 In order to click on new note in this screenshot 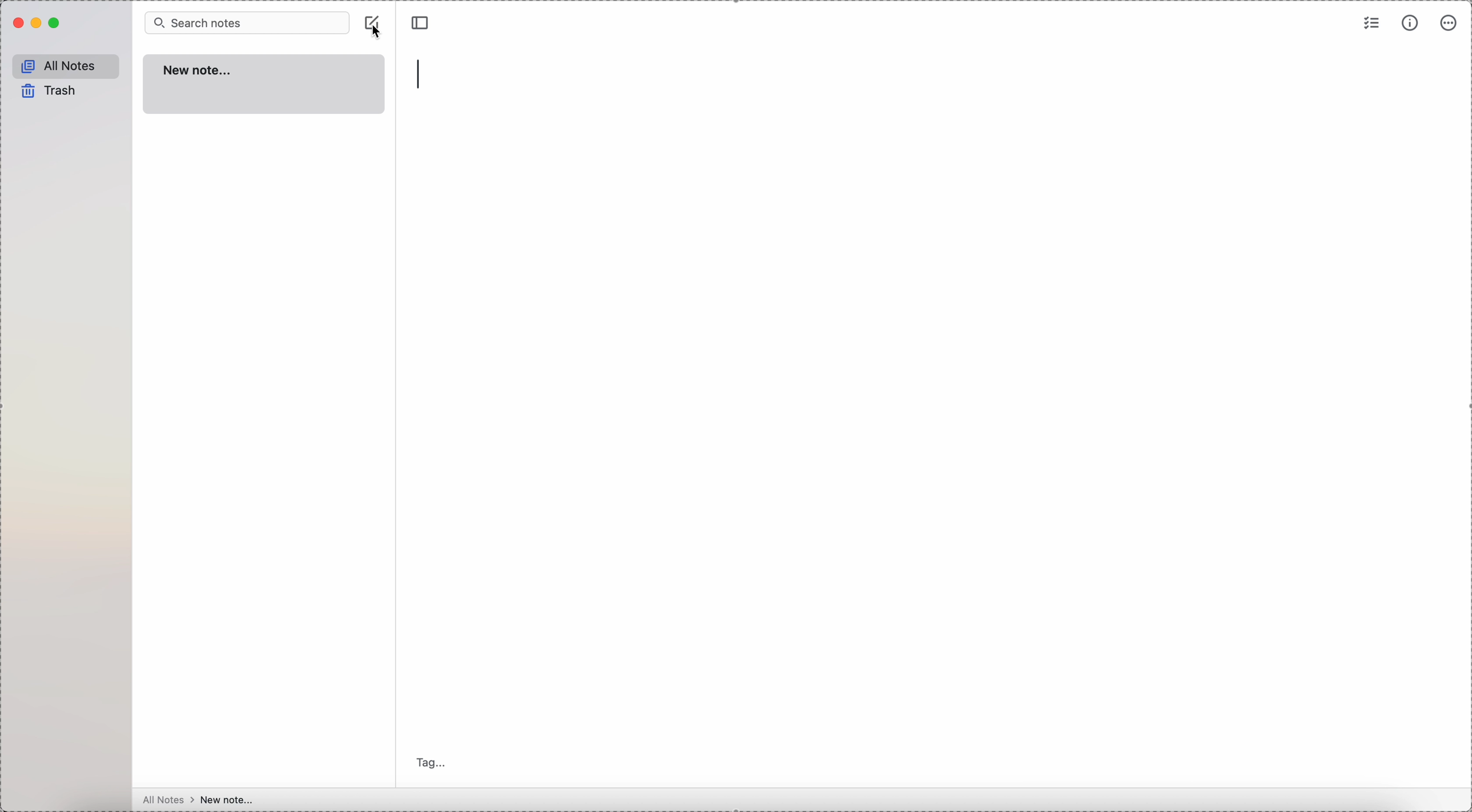, I will do `click(230, 801)`.